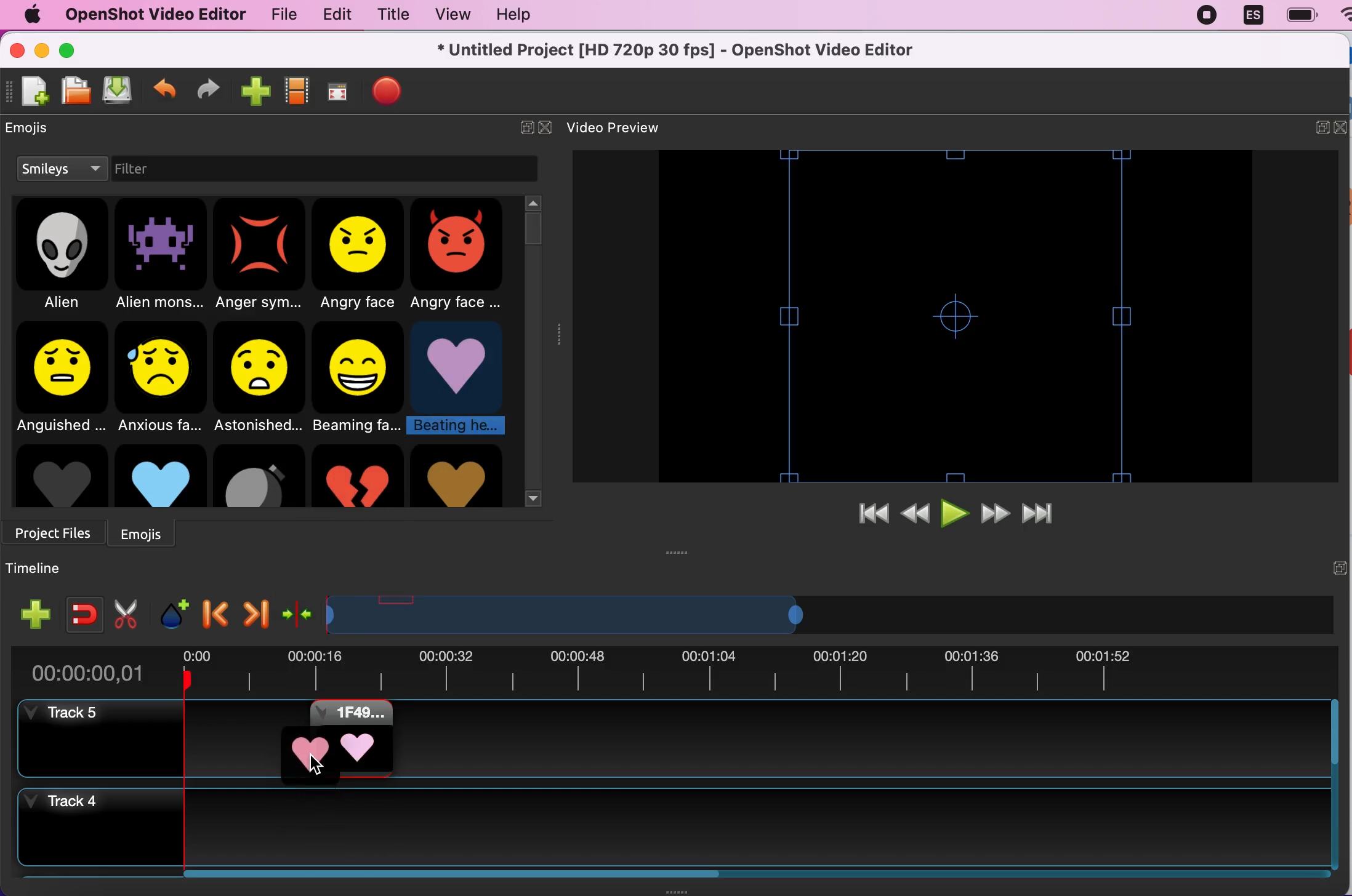 Image resolution: width=1352 pixels, height=896 pixels. Describe the element at coordinates (261, 256) in the screenshot. I see `anger` at that location.